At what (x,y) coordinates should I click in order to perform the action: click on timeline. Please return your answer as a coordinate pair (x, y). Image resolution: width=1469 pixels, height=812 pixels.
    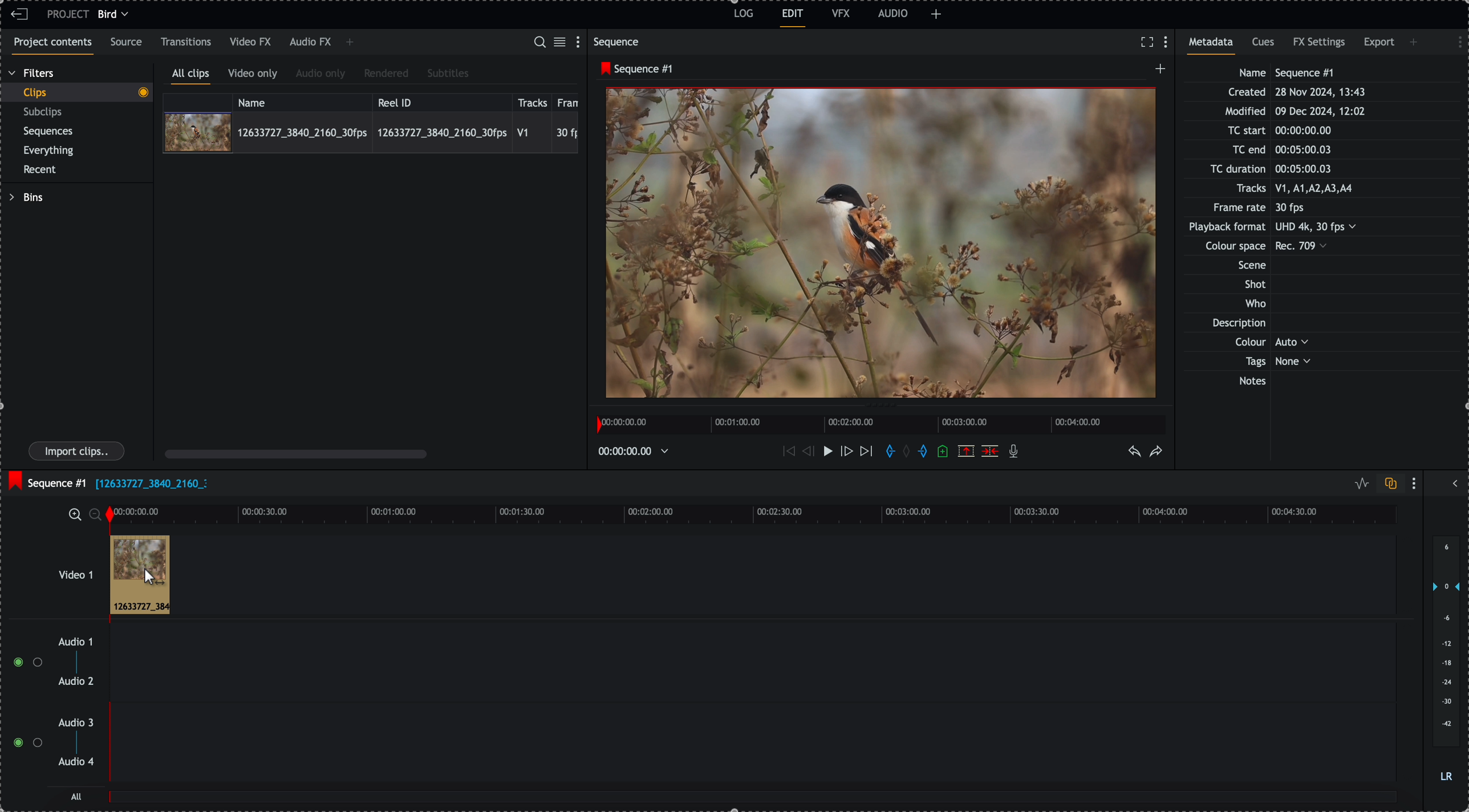
    Looking at the image, I should click on (884, 423).